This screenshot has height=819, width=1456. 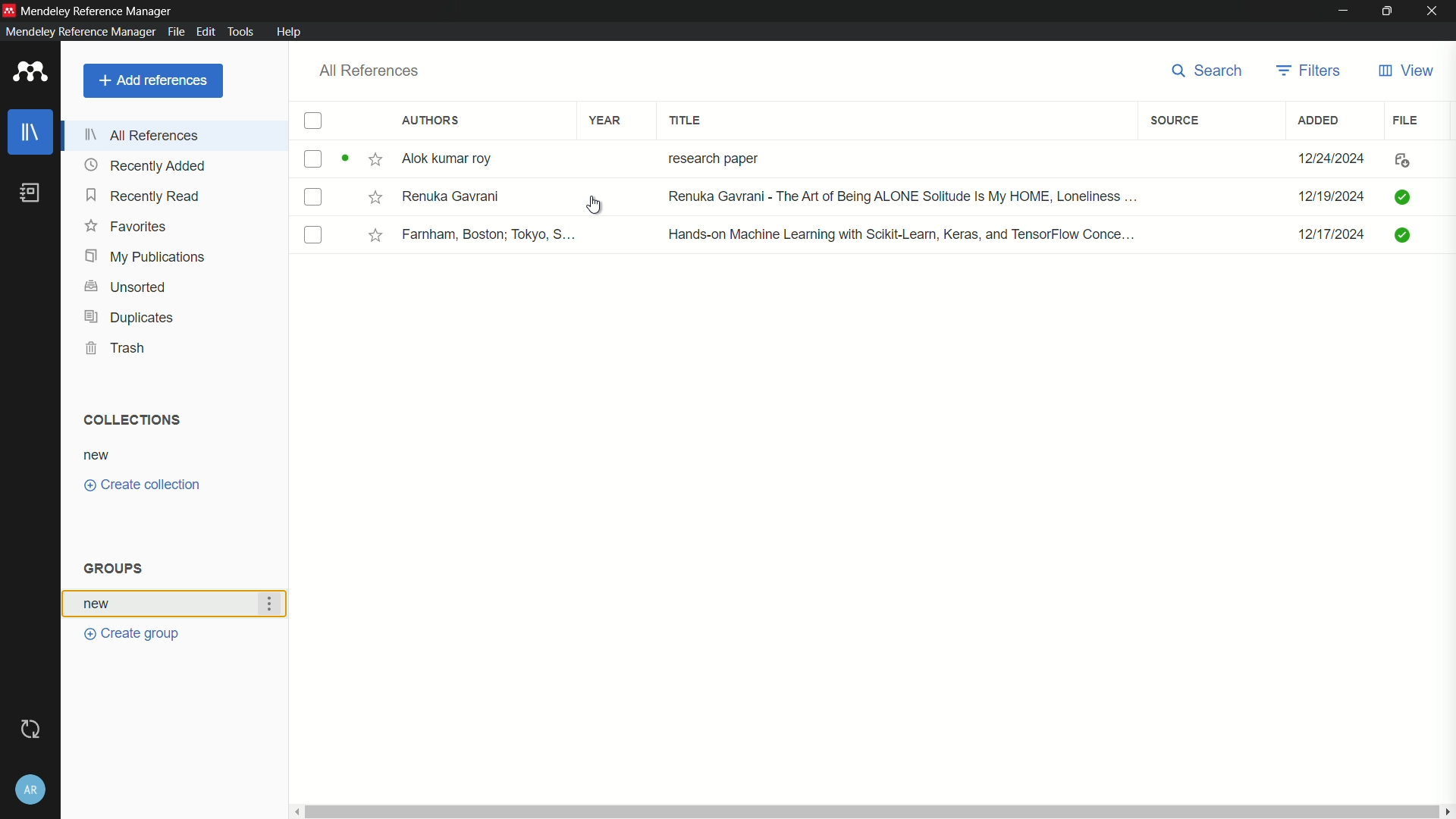 I want to click on Date, so click(x=1329, y=197).